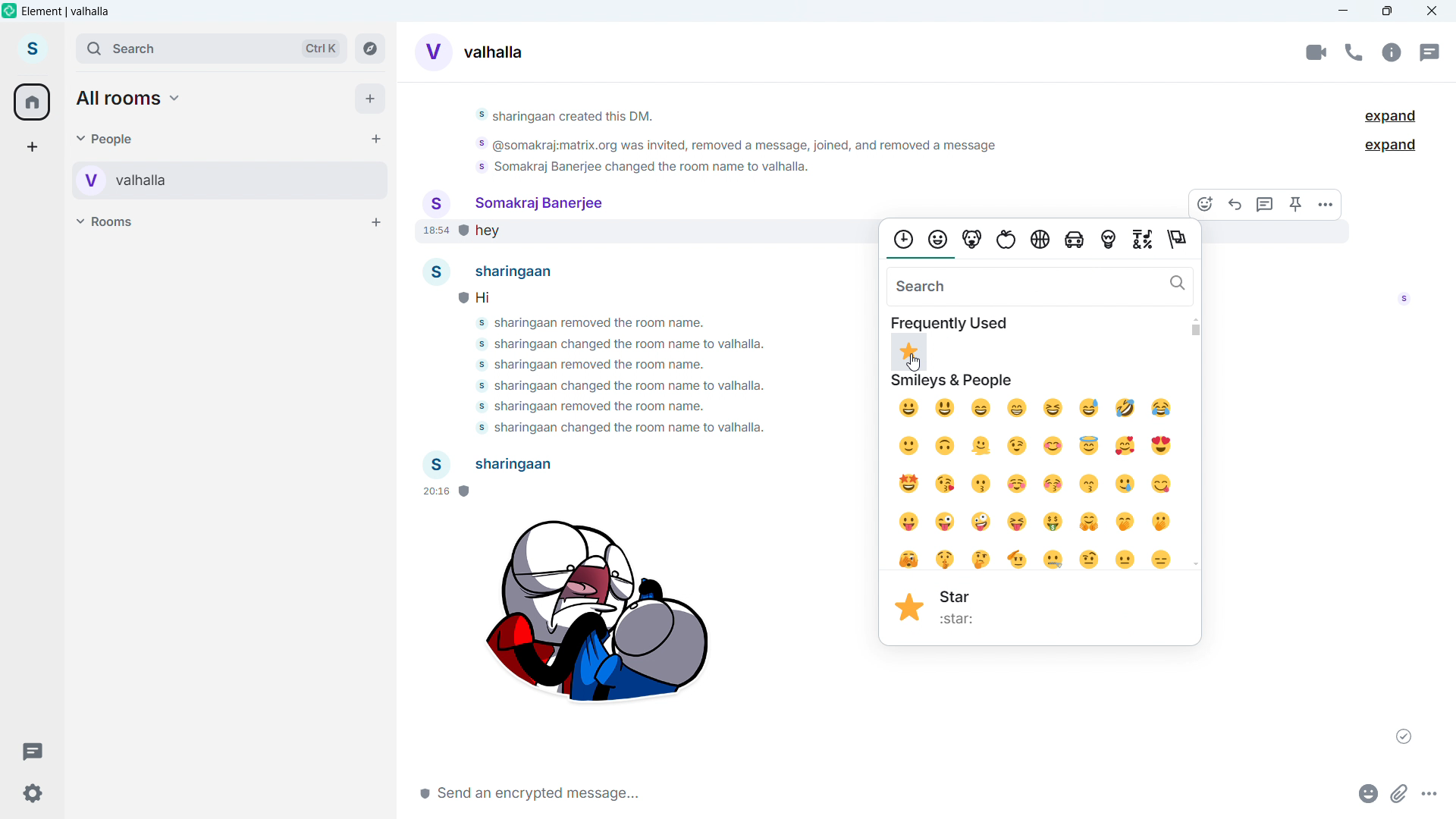  I want to click on Video conference , so click(1316, 52).